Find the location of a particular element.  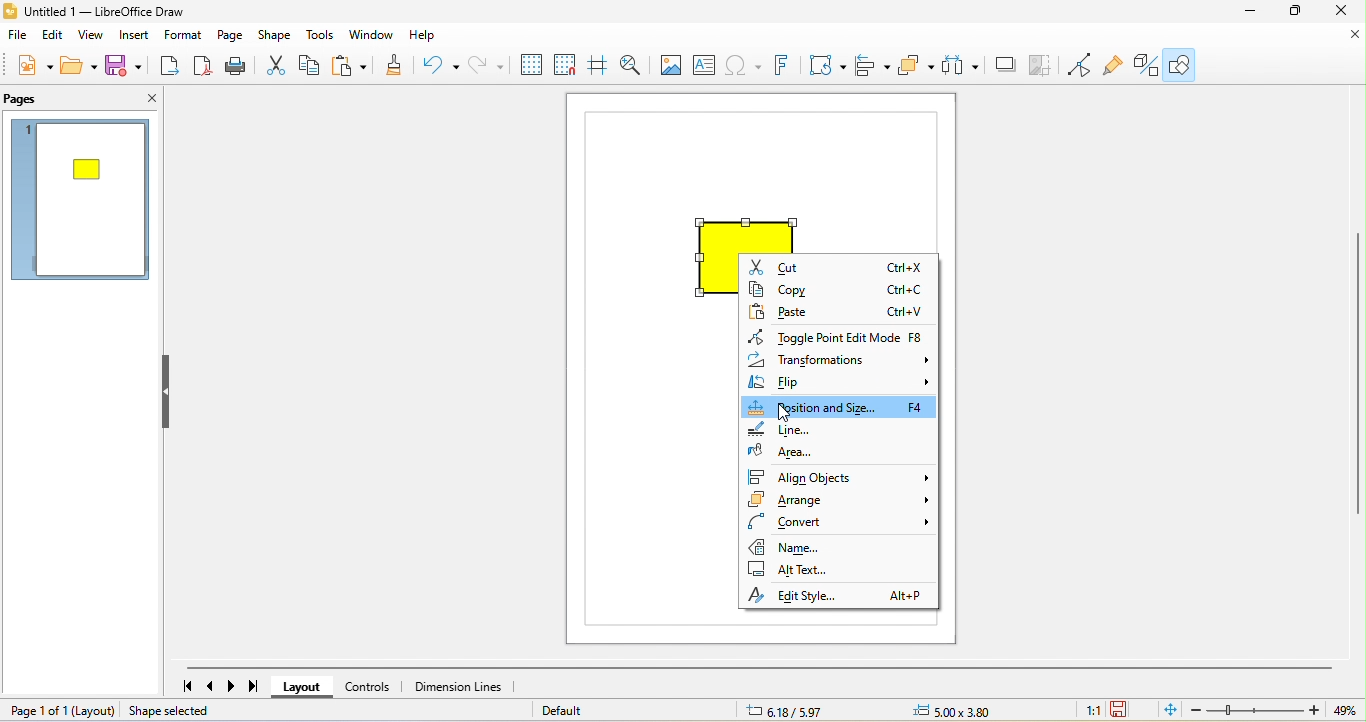

flip is located at coordinates (839, 384).